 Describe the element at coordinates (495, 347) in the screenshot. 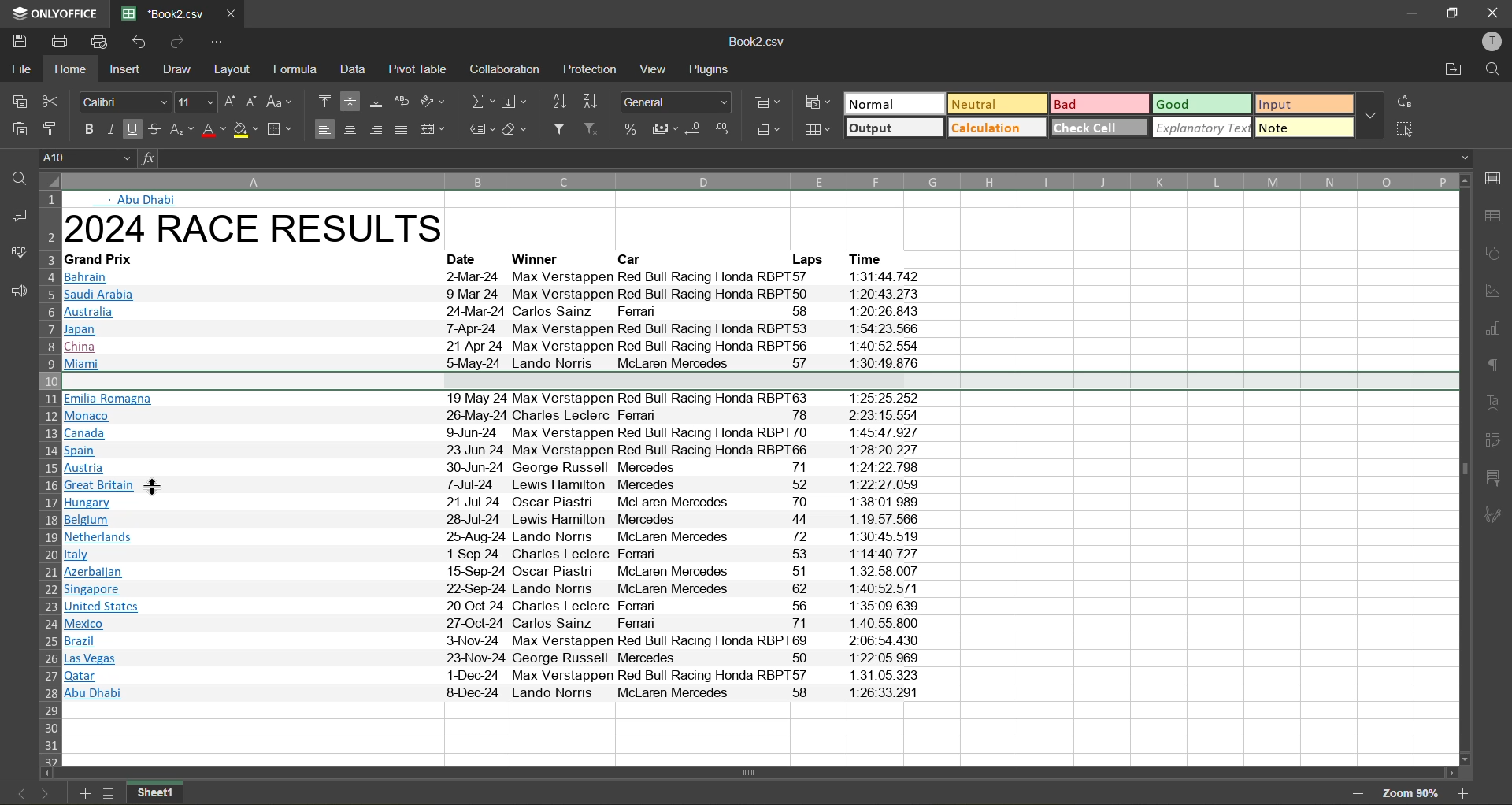

I see `China 21-Apr-24 Max Verstappen Red Bull Racing Honda RBPT56 1:40:52 554` at that location.